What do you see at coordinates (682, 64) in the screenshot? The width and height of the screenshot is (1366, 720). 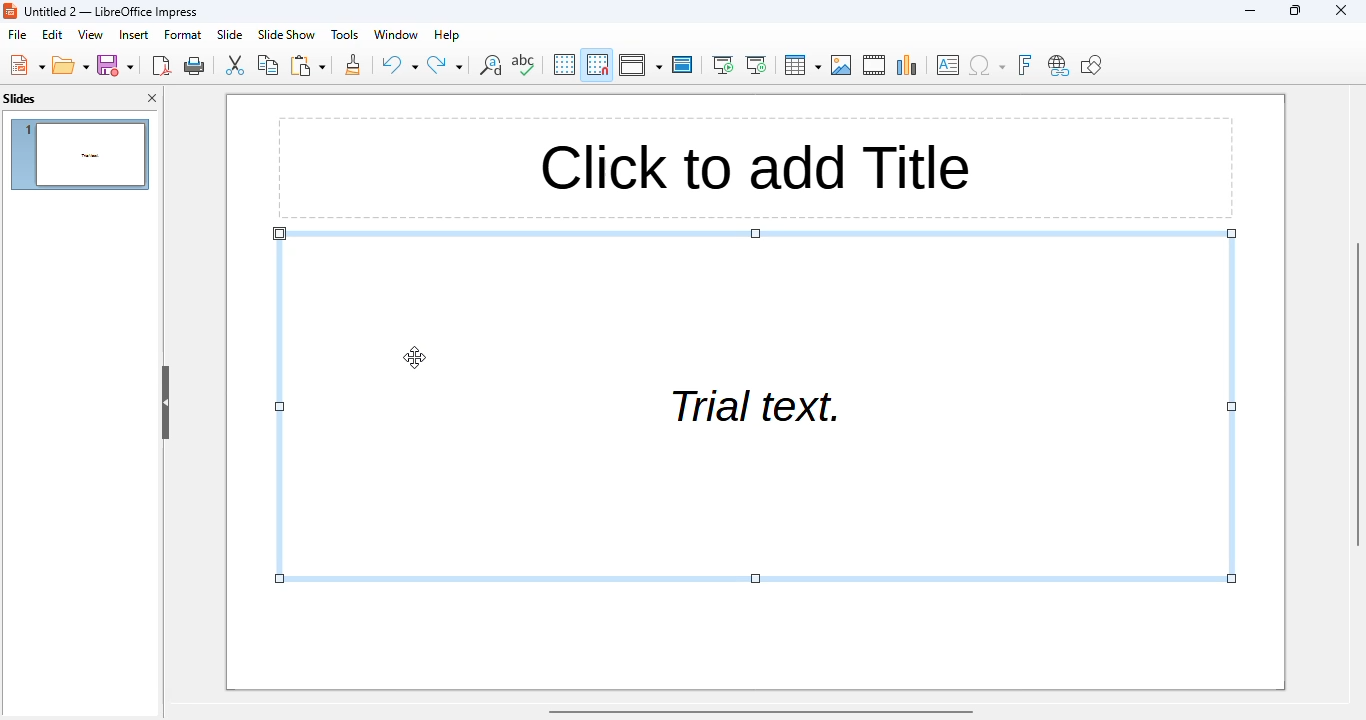 I see `master slide` at bounding box center [682, 64].